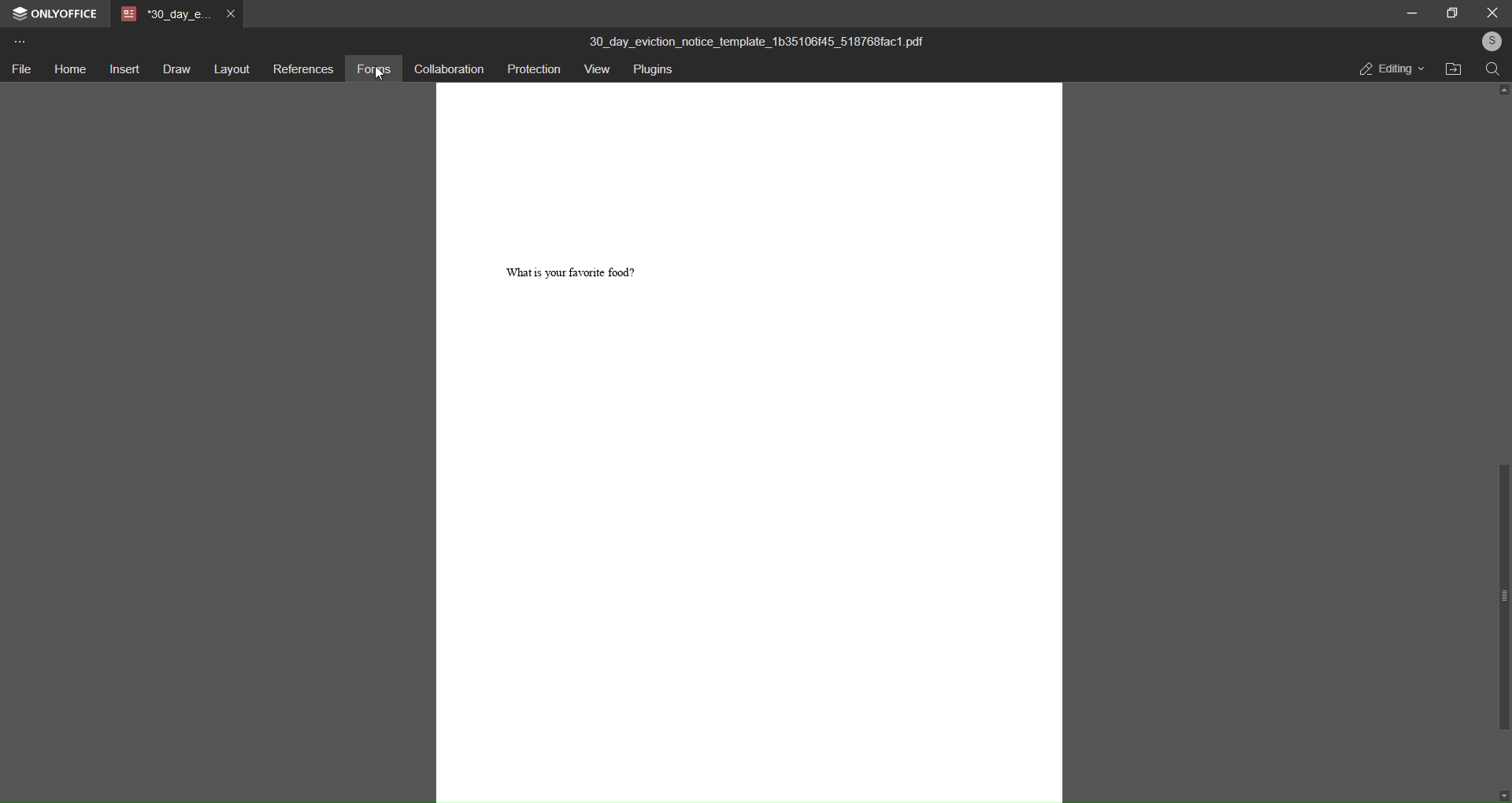  I want to click on forms, so click(372, 71).